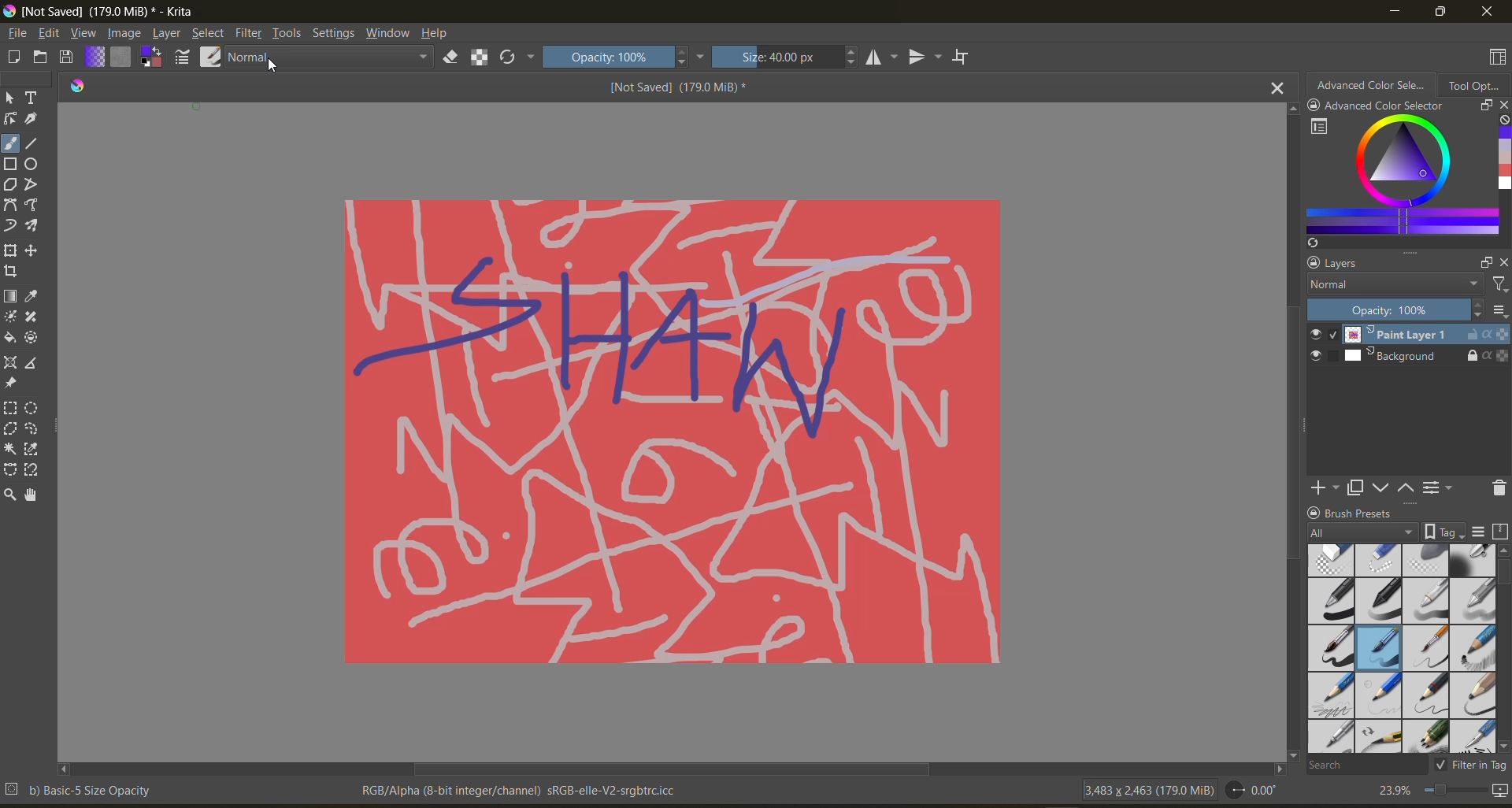 Image resolution: width=1512 pixels, height=808 pixels. I want to click on close tab, so click(1275, 89).